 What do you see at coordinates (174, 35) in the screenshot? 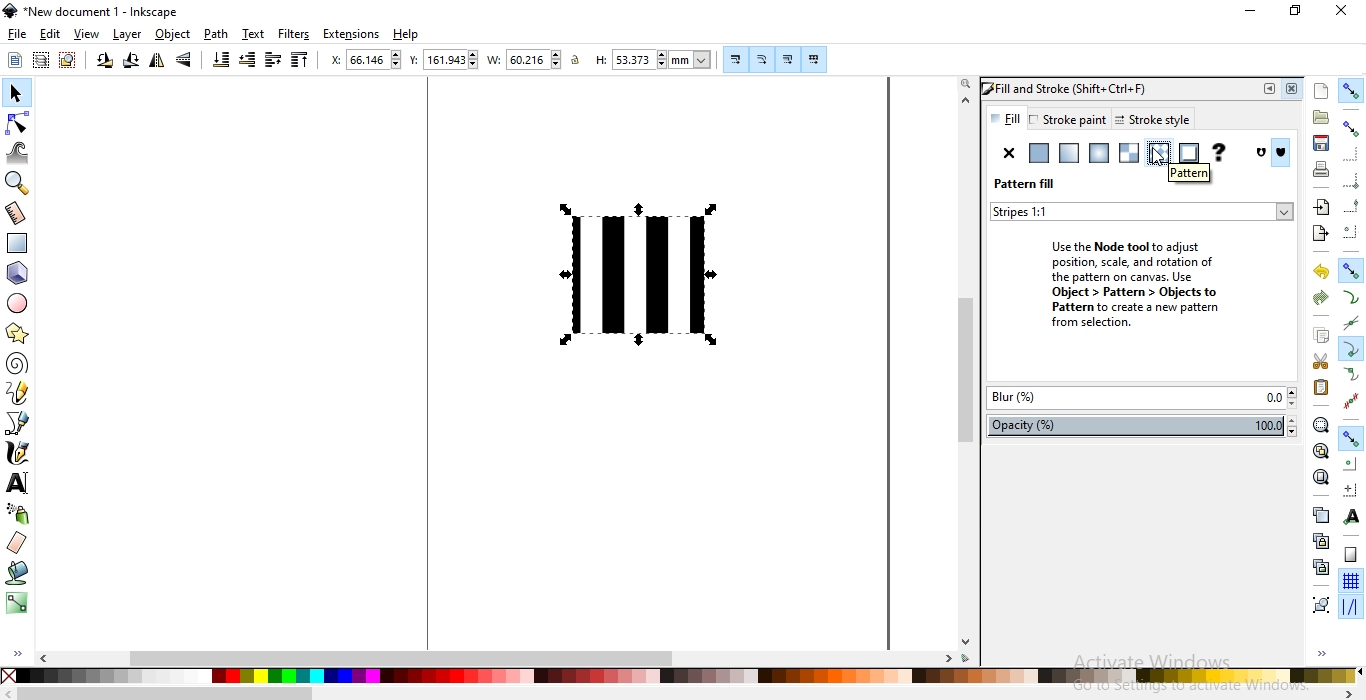
I see `object` at bounding box center [174, 35].